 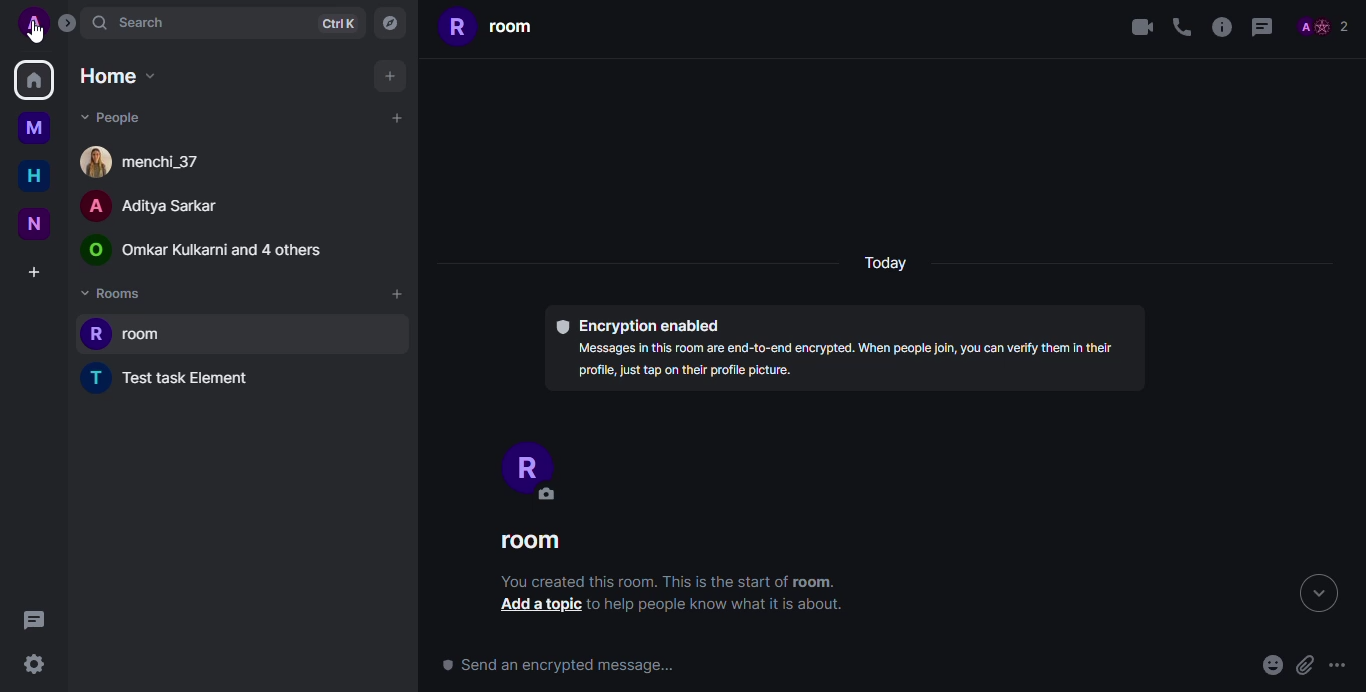 What do you see at coordinates (339, 24) in the screenshot?
I see `ctrlK` at bounding box center [339, 24].